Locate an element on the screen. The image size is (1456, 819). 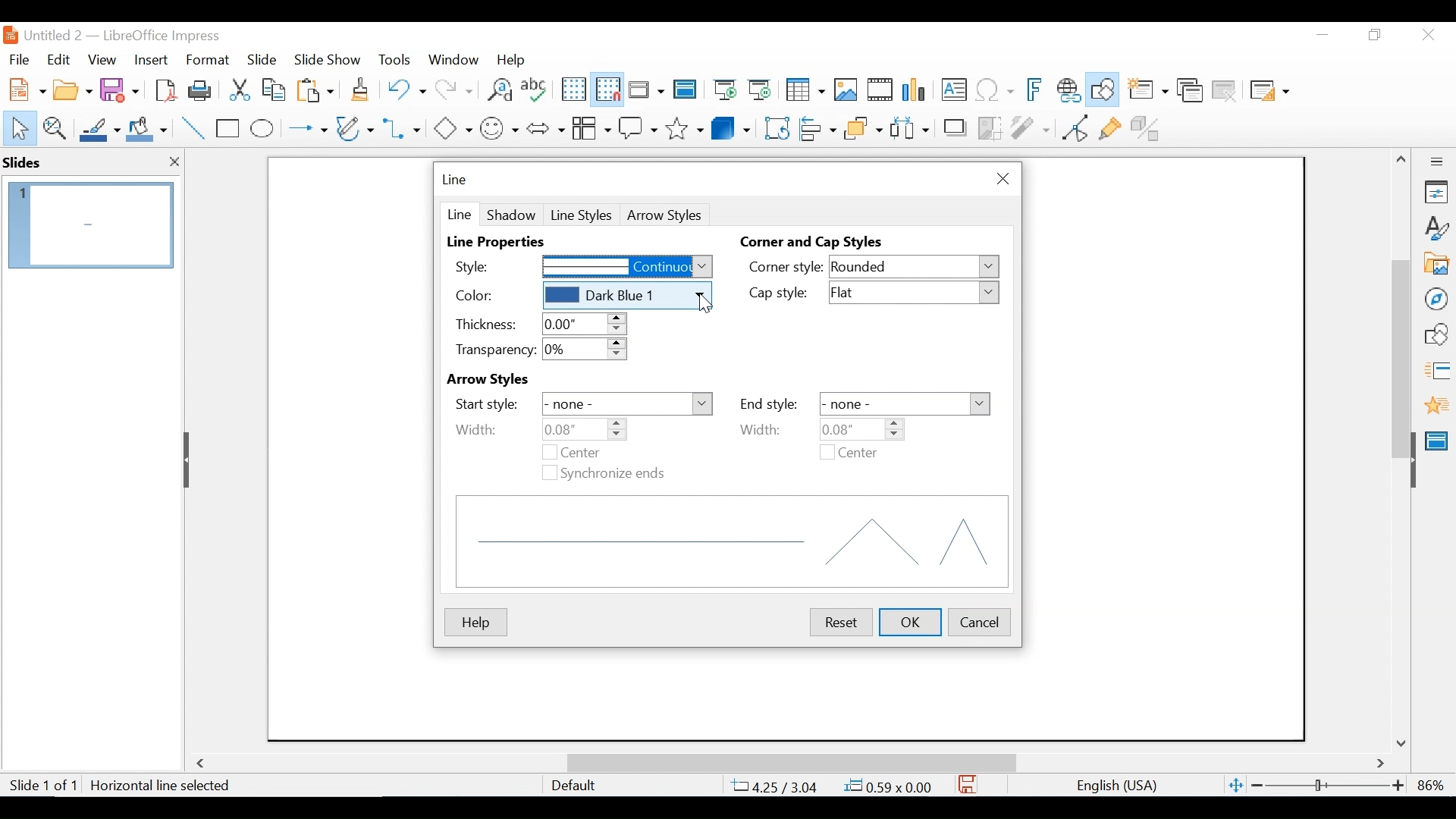
Navigator is located at coordinates (1436, 298).